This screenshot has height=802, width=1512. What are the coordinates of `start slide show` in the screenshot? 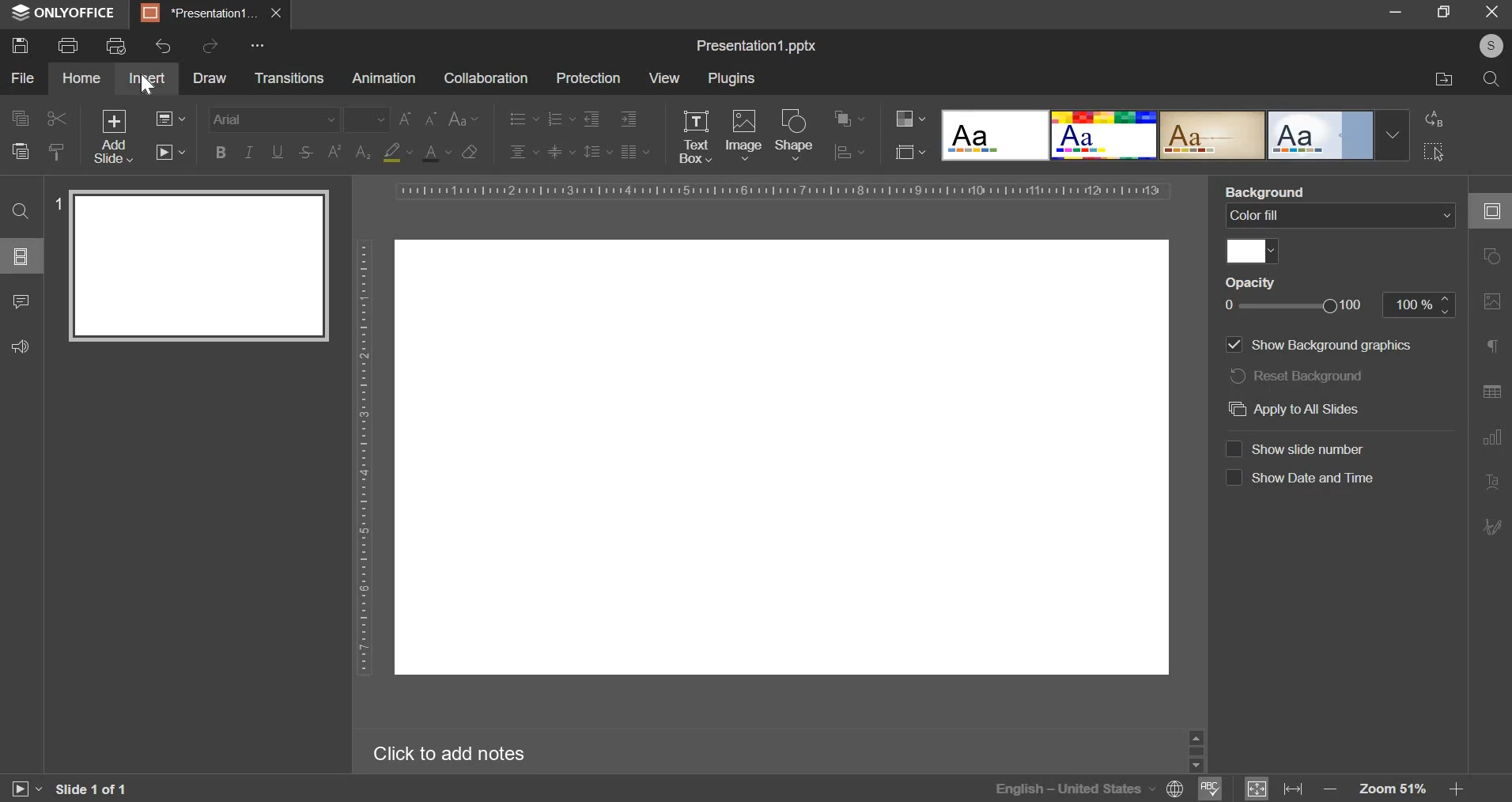 It's located at (25, 789).